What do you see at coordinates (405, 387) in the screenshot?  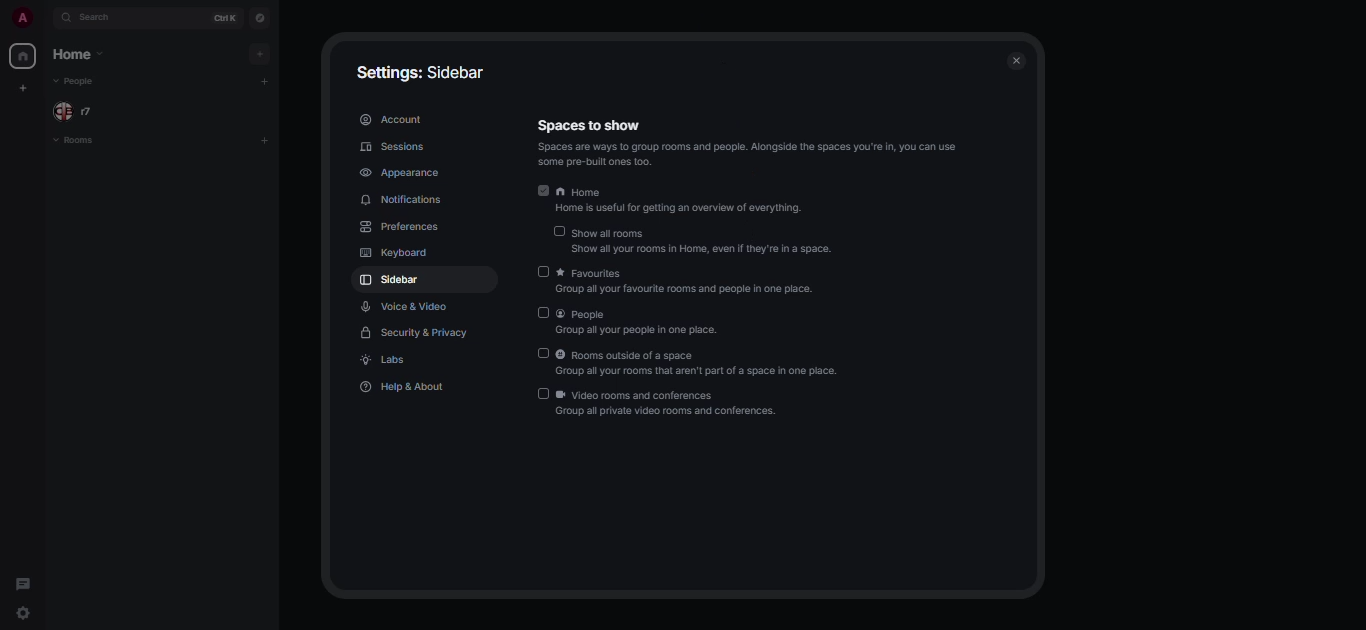 I see `help & about` at bounding box center [405, 387].